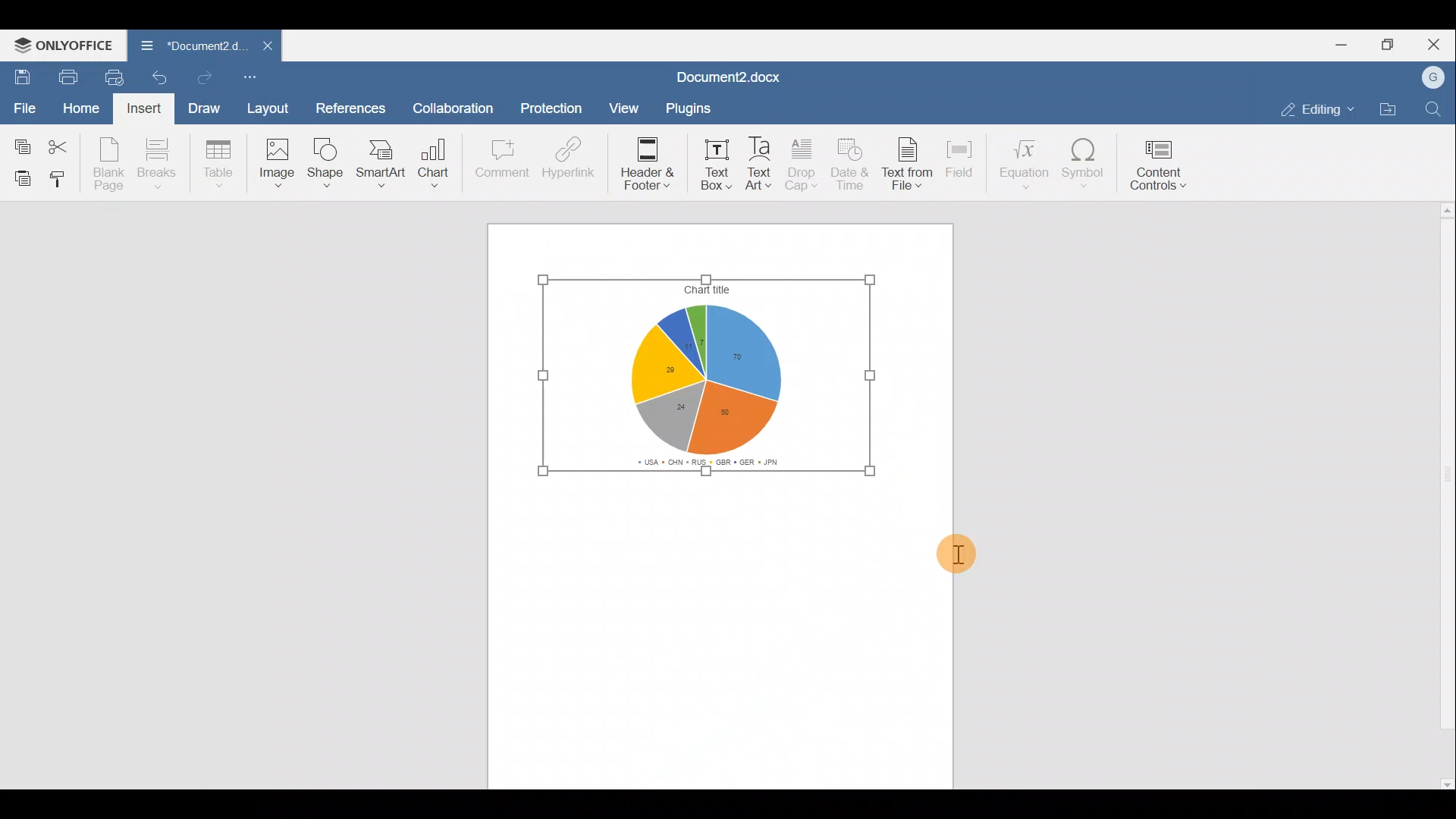 This screenshot has width=1456, height=819. What do you see at coordinates (265, 47) in the screenshot?
I see `Close document` at bounding box center [265, 47].